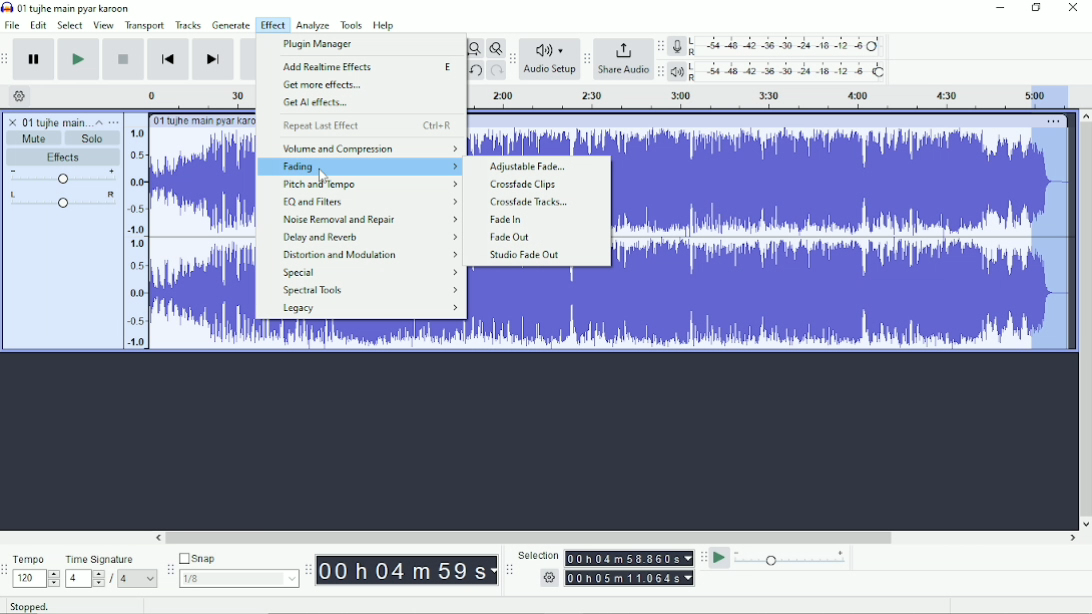 Image resolution: width=1092 pixels, height=614 pixels. Describe the element at coordinates (588, 58) in the screenshot. I see `Audacity share audio toolbar` at that location.